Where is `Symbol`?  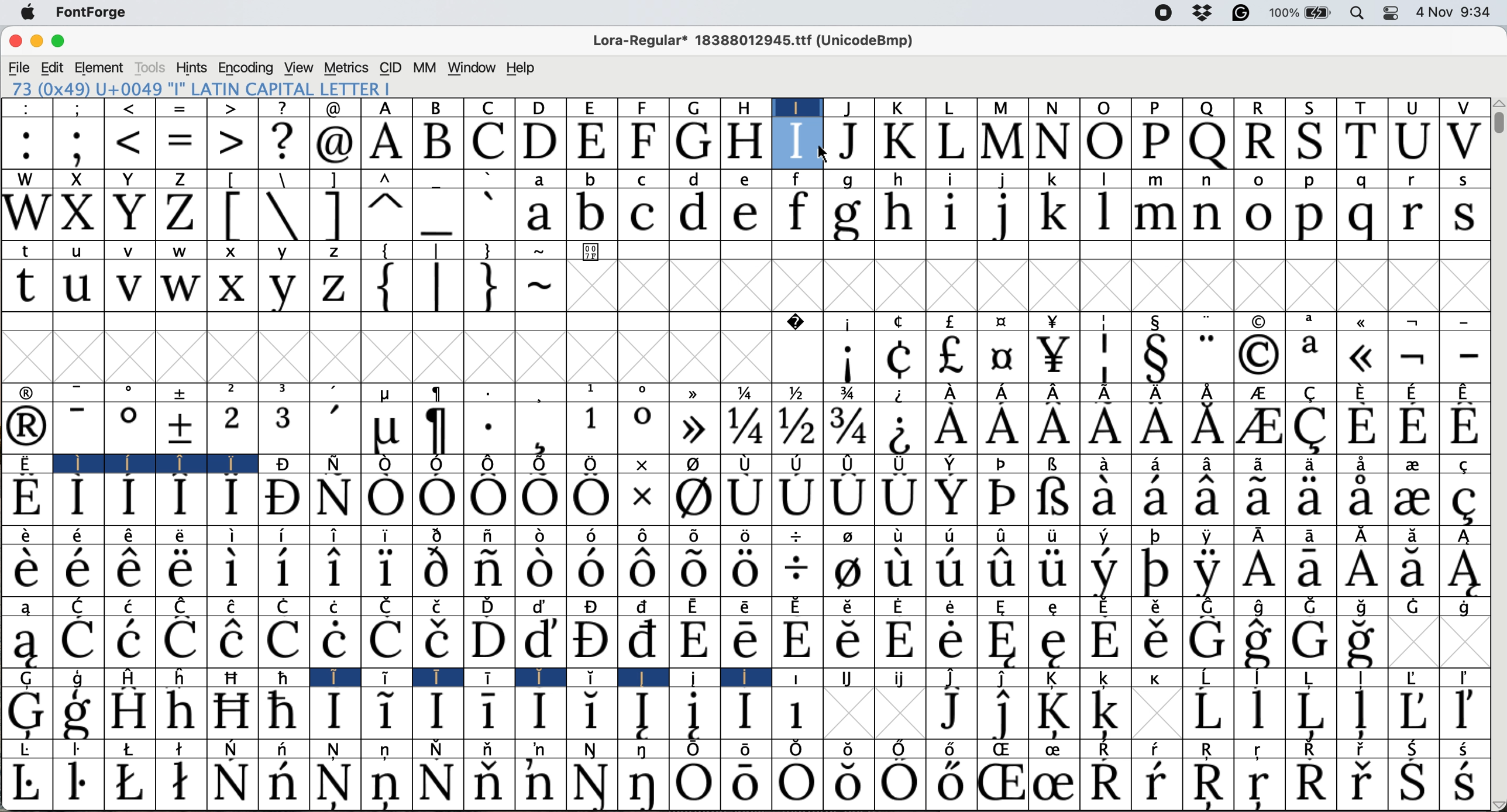
Symbol is located at coordinates (1309, 783).